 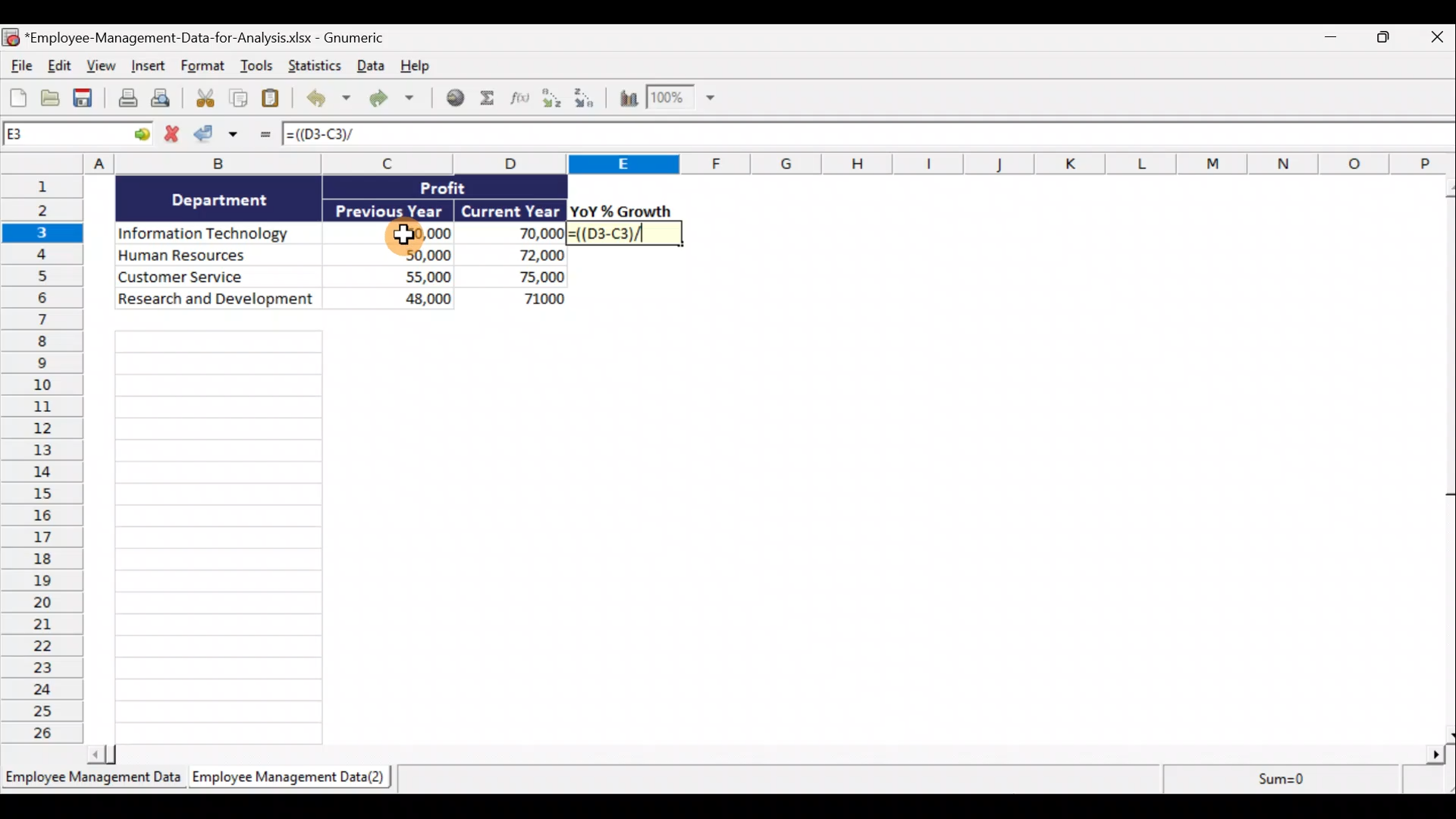 What do you see at coordinates (1389, 37) in the screenshot?
I see `Maximise` at bounding box center [1389, 37].